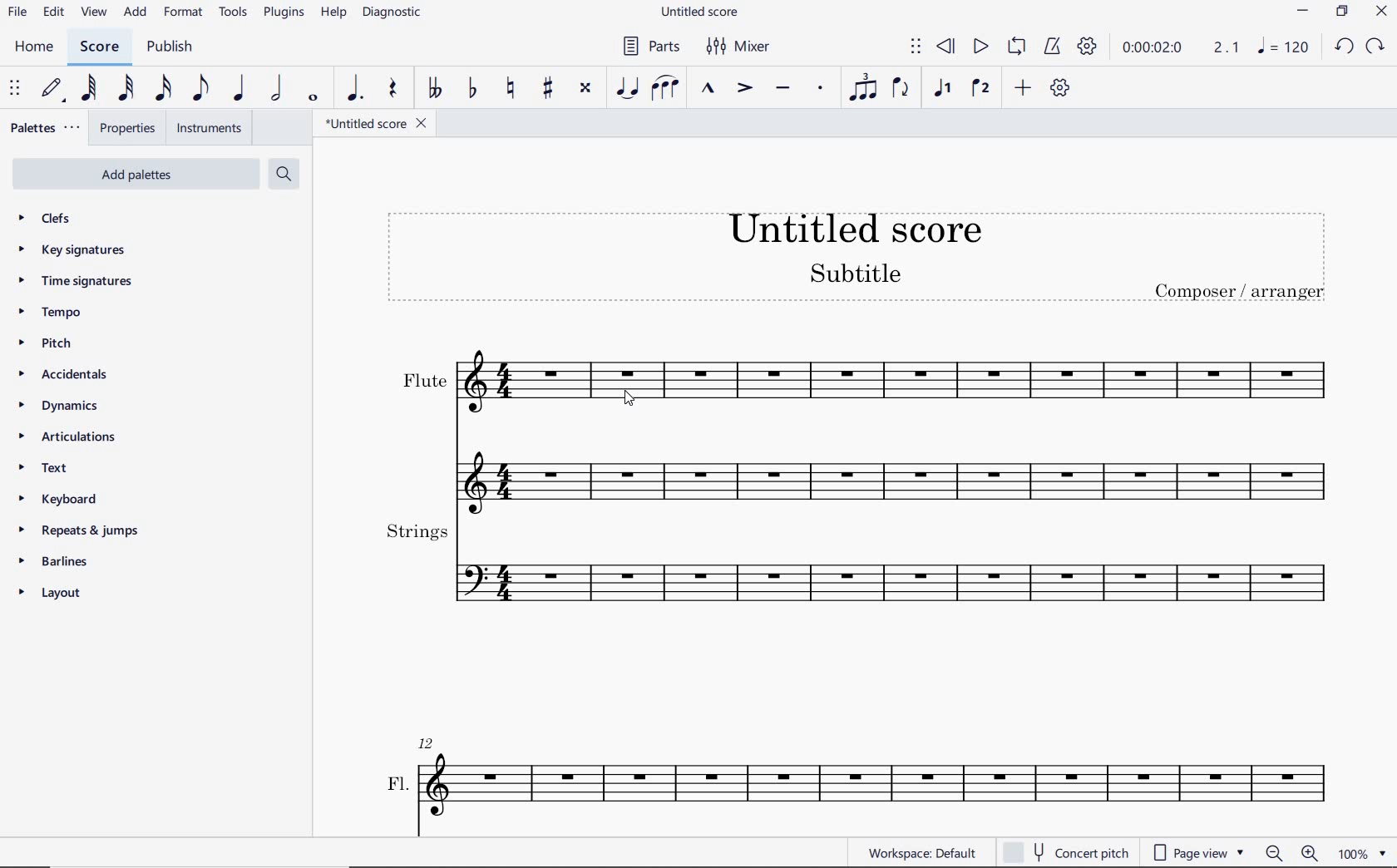 This screenshot has height=868, width=1397. Describe the element at coordinates (740, 47) in the screenshot. I see `MIXER` at that location.